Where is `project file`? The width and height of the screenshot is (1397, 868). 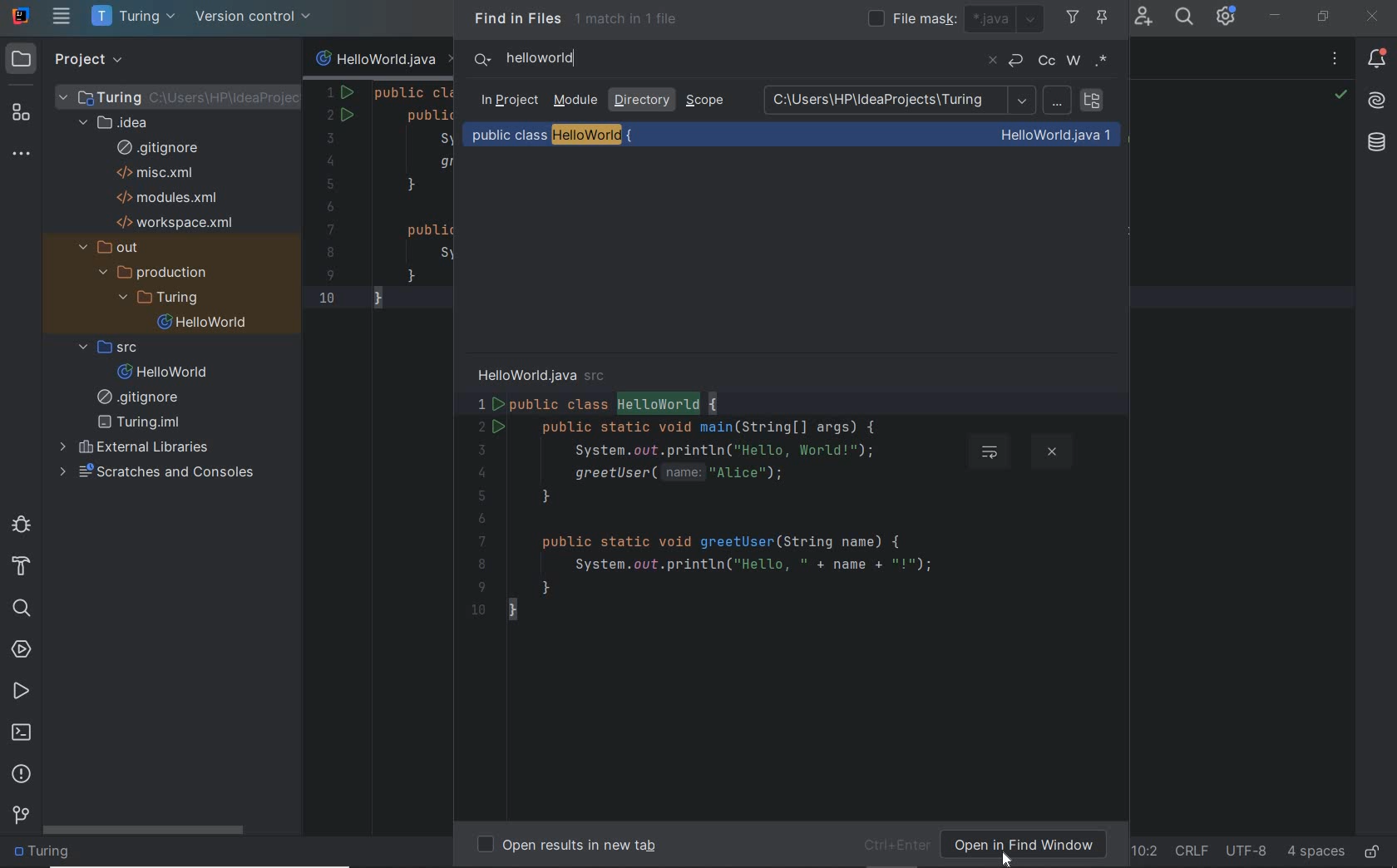
project file is located at coordinates (194, 96).